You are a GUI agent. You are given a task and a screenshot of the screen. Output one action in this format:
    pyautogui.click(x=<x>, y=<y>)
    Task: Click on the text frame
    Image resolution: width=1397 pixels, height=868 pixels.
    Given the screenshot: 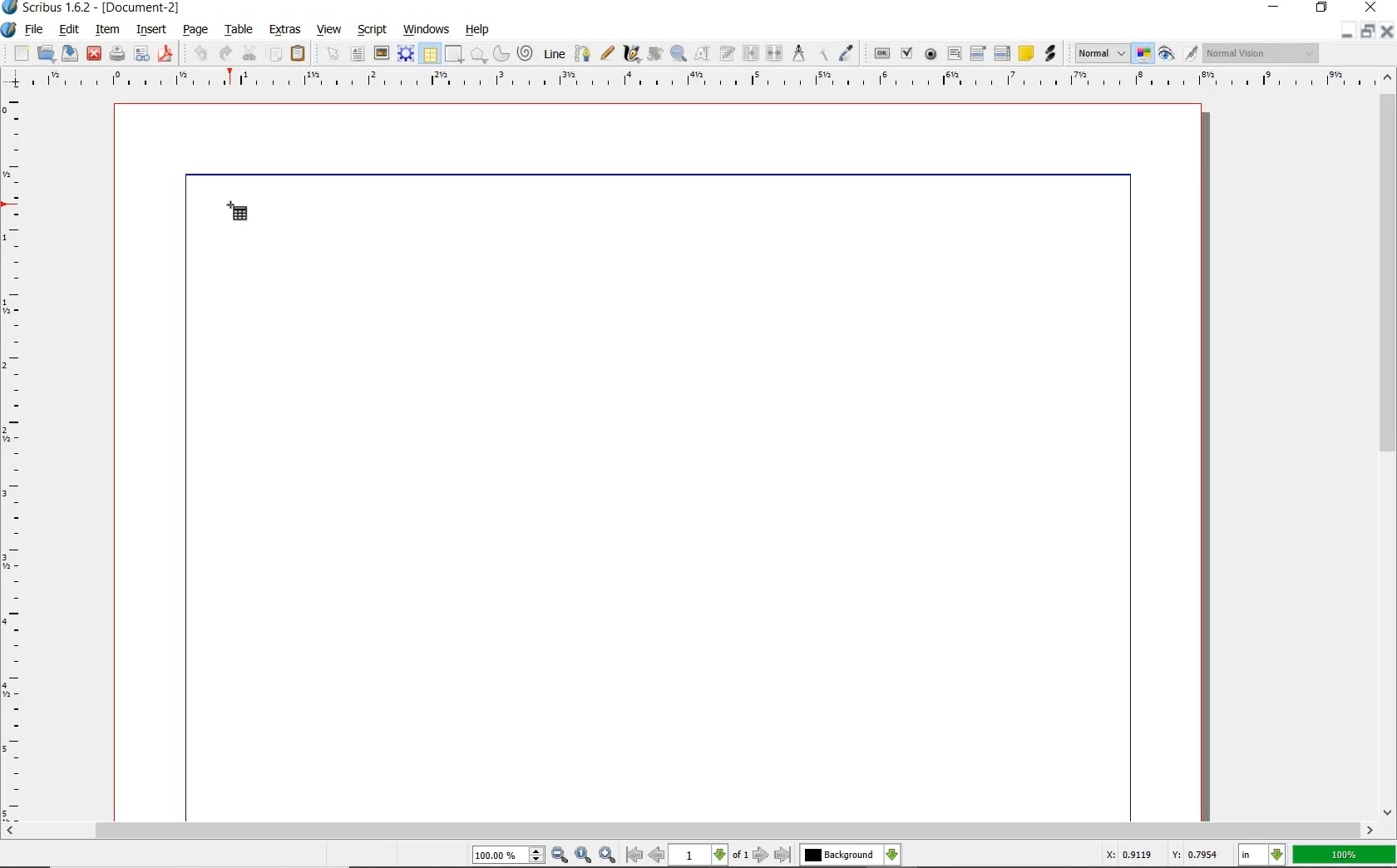 What is the action you would take?
    pyautogui.click(x=358, y=53)
    